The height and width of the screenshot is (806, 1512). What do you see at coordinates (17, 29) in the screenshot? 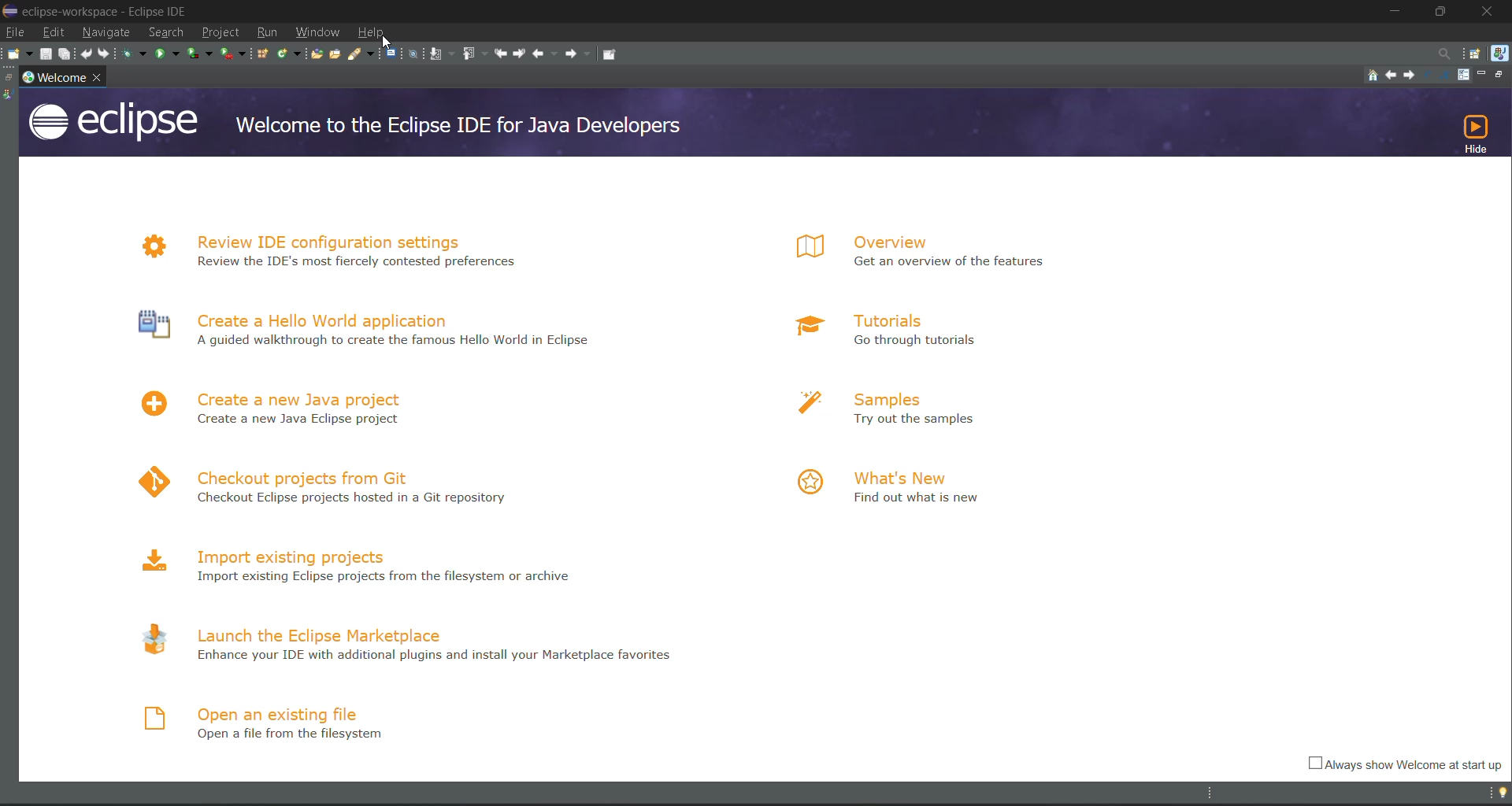
I see `file` at bounding box center [17, 29].